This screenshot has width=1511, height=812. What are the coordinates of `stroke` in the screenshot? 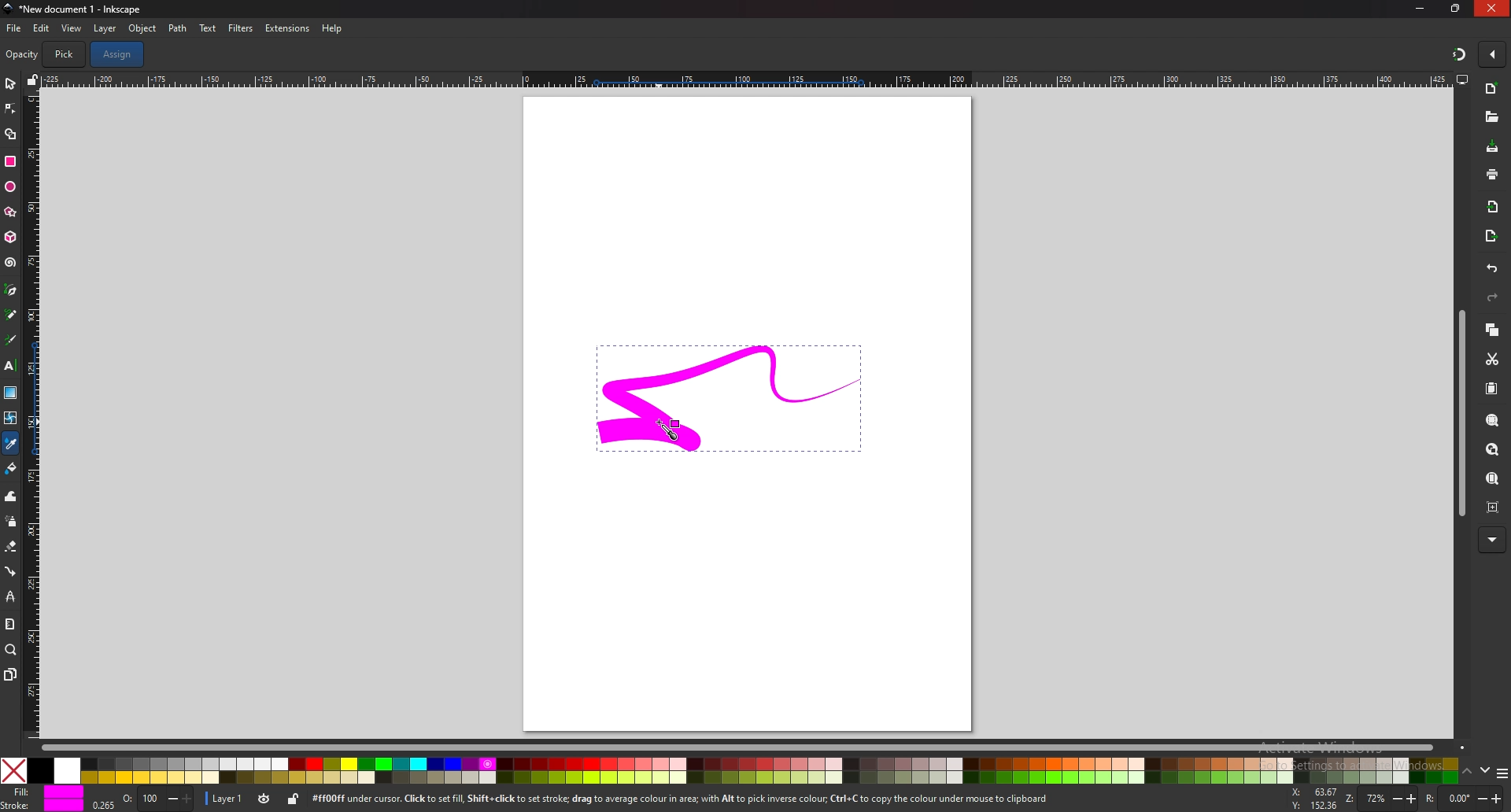 It's located at (43, 805).